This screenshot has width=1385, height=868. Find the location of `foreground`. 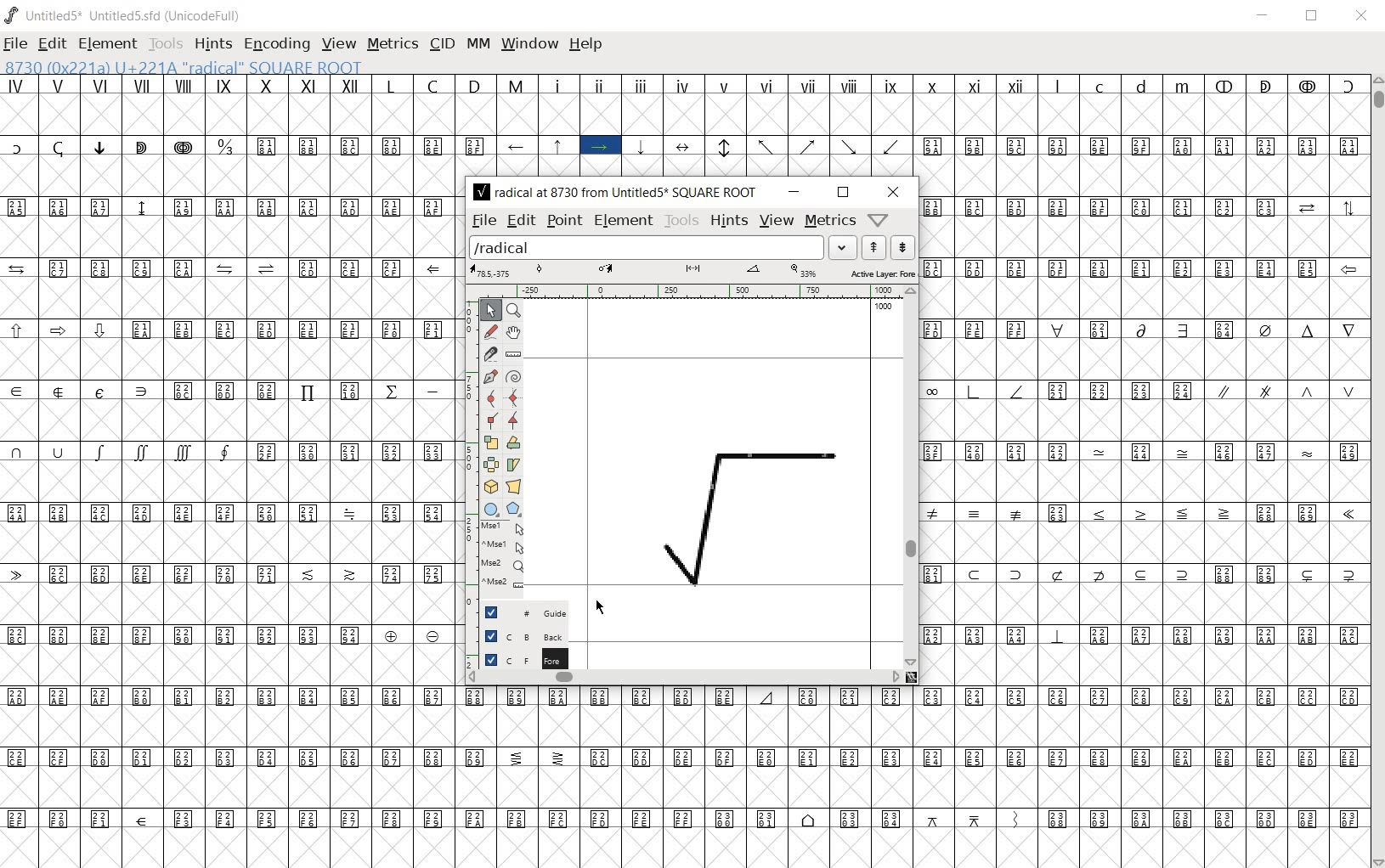

foreground is located at coordinates (516, 658).